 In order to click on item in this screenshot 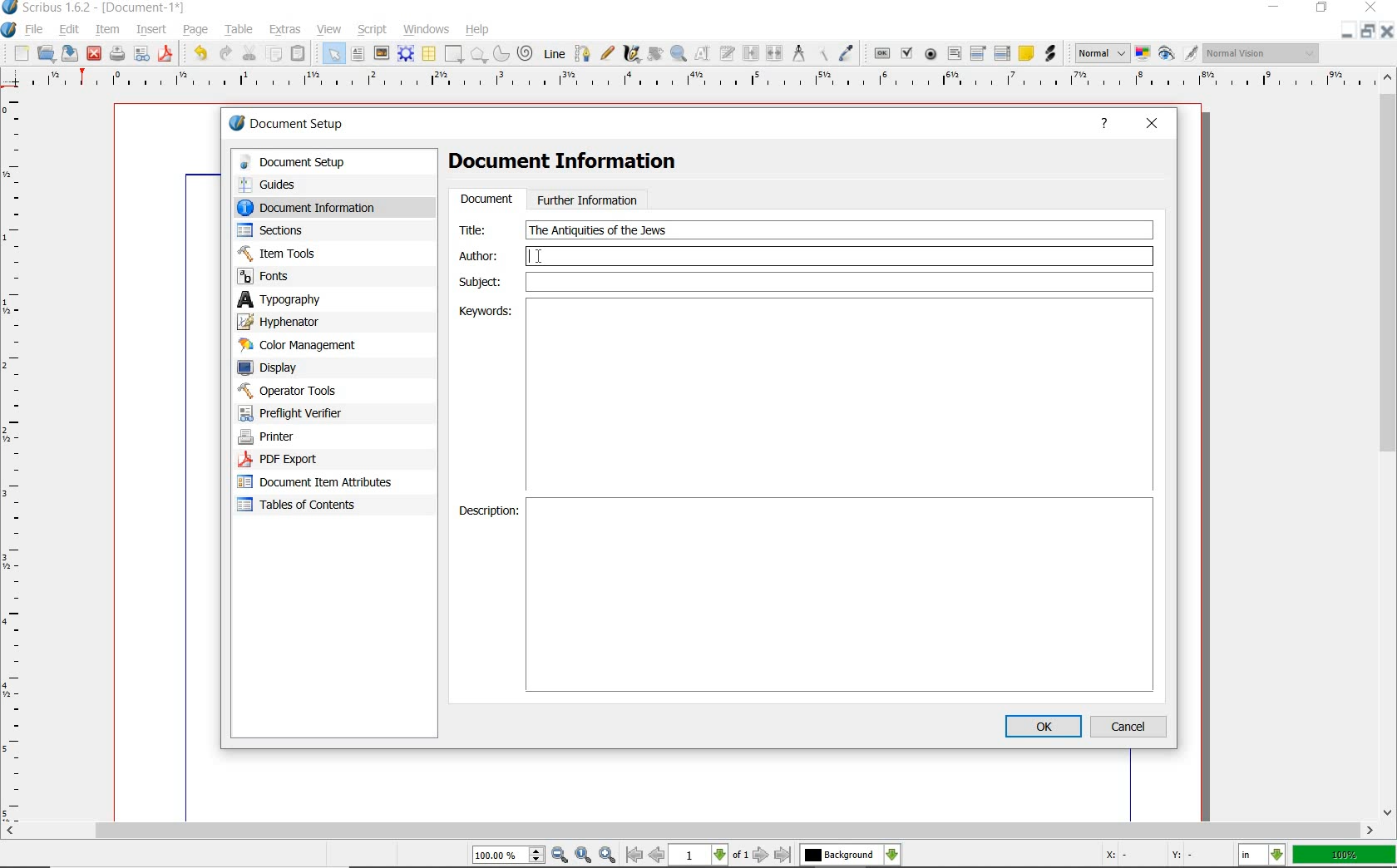, I will do `click(108, 31)`.